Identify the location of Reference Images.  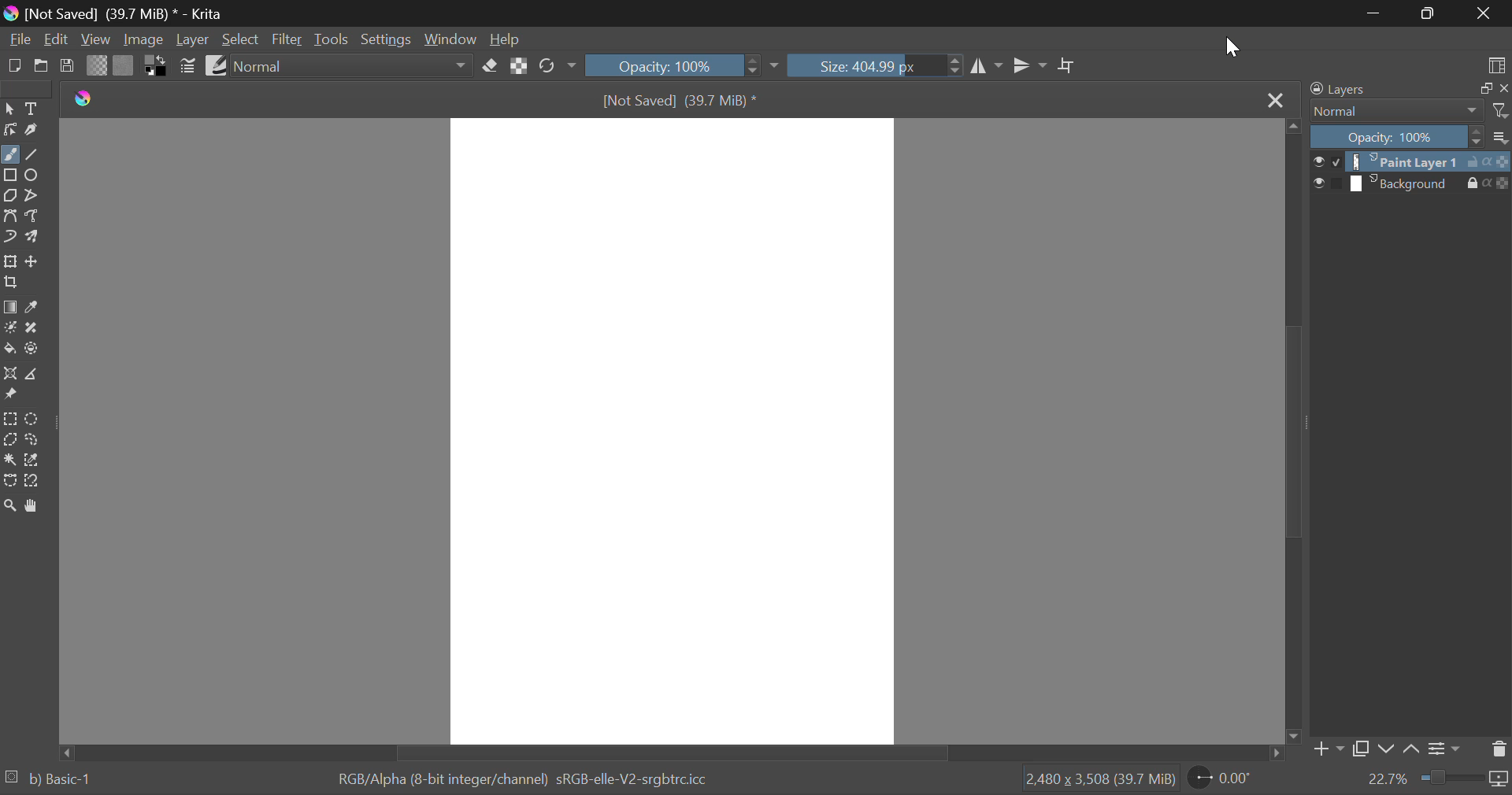
(10, 396).